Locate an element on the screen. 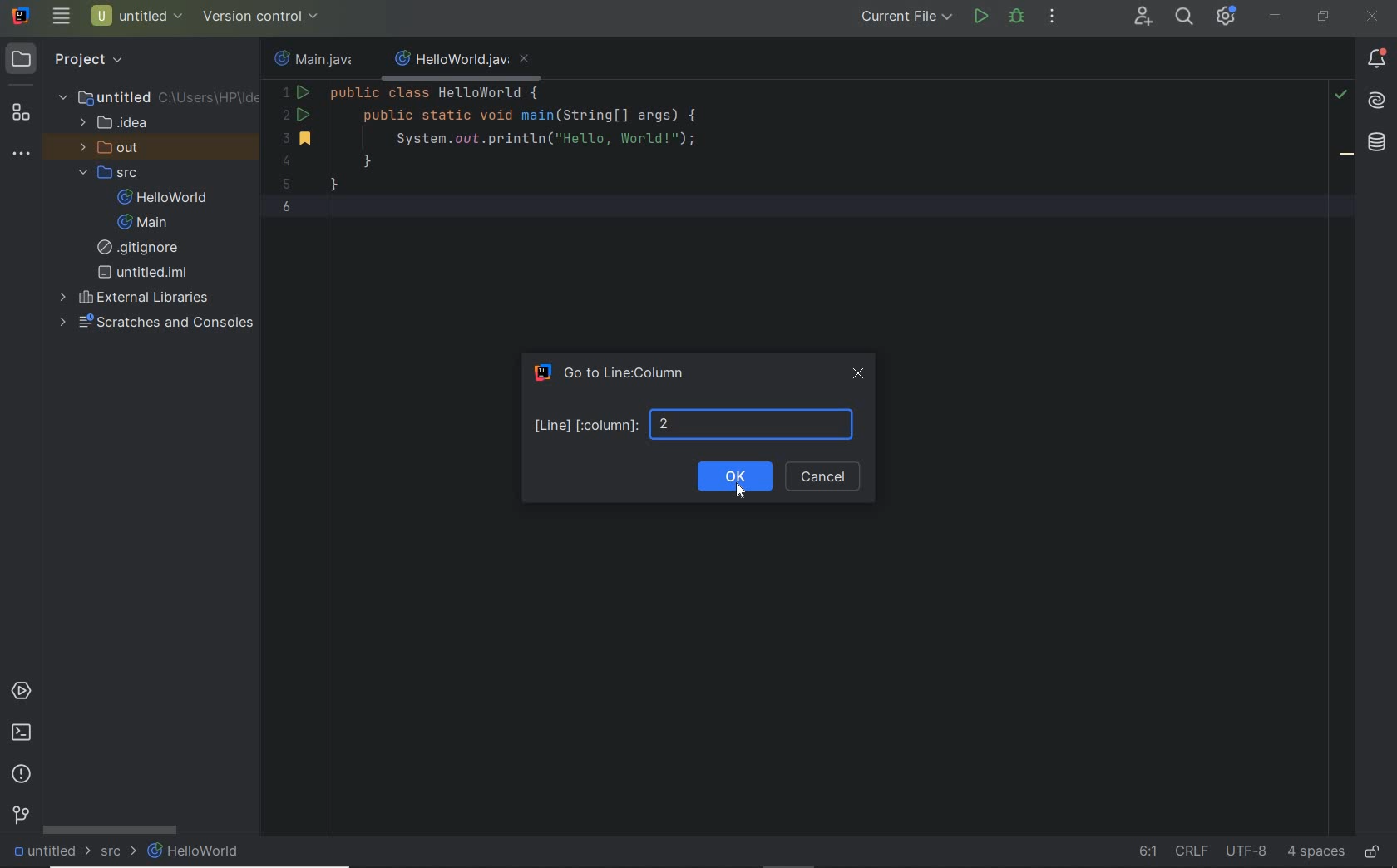 Image resolution: width=1397 pixels, height=868 pixels. search everywhere is located at coordinates (1183, 17).